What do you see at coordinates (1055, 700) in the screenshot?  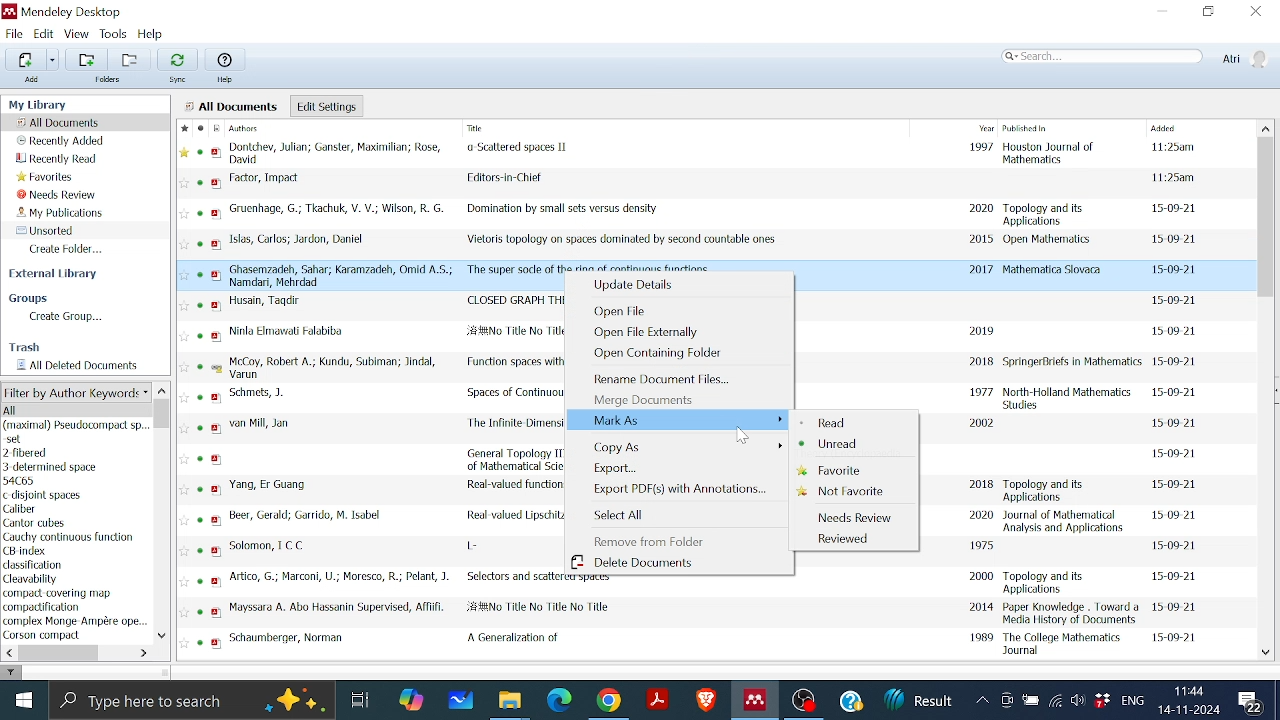 I see `Internet access` at bounding box center [1055, 700].